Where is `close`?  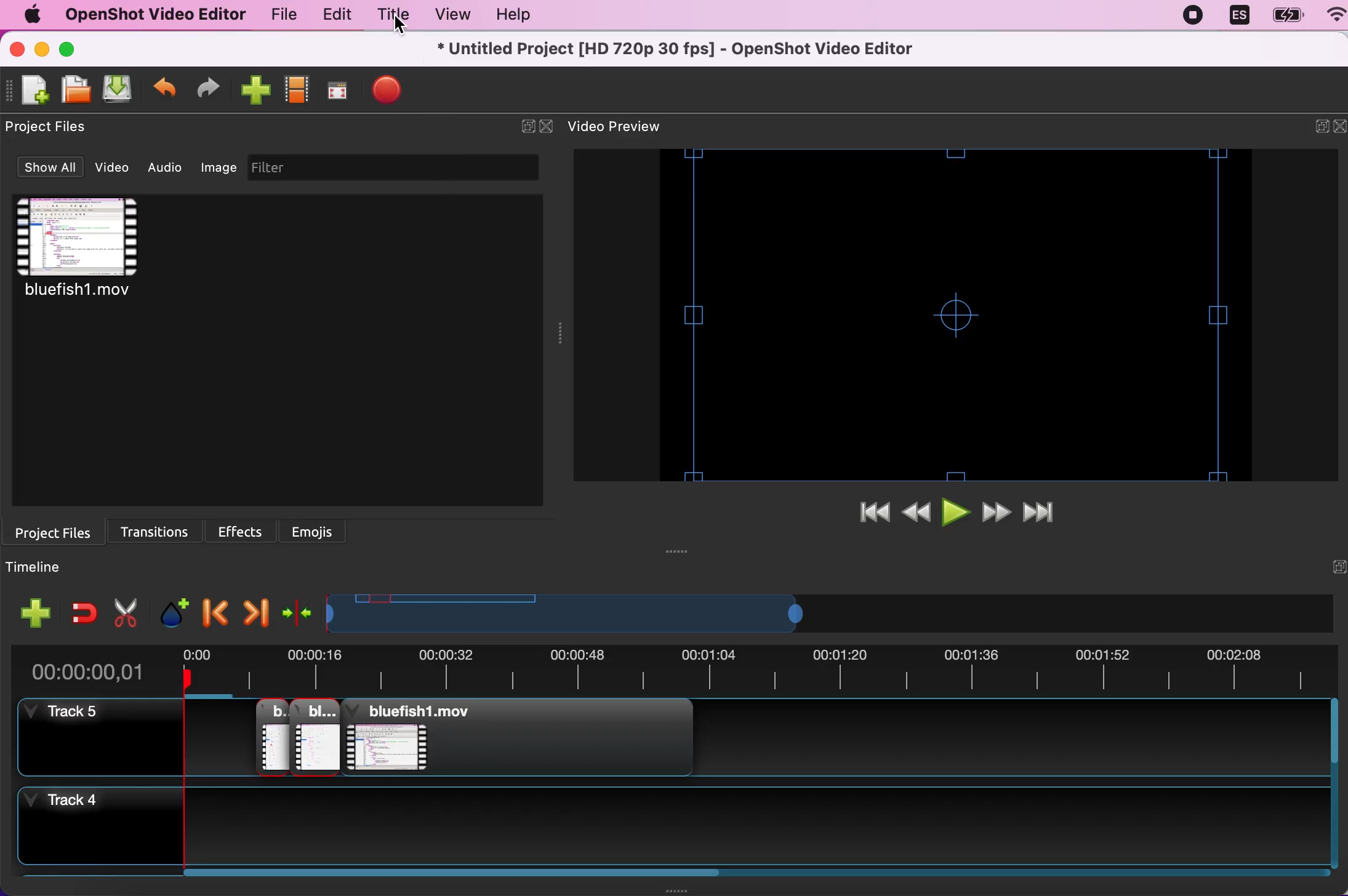 close is located at coordinates (18, 49).